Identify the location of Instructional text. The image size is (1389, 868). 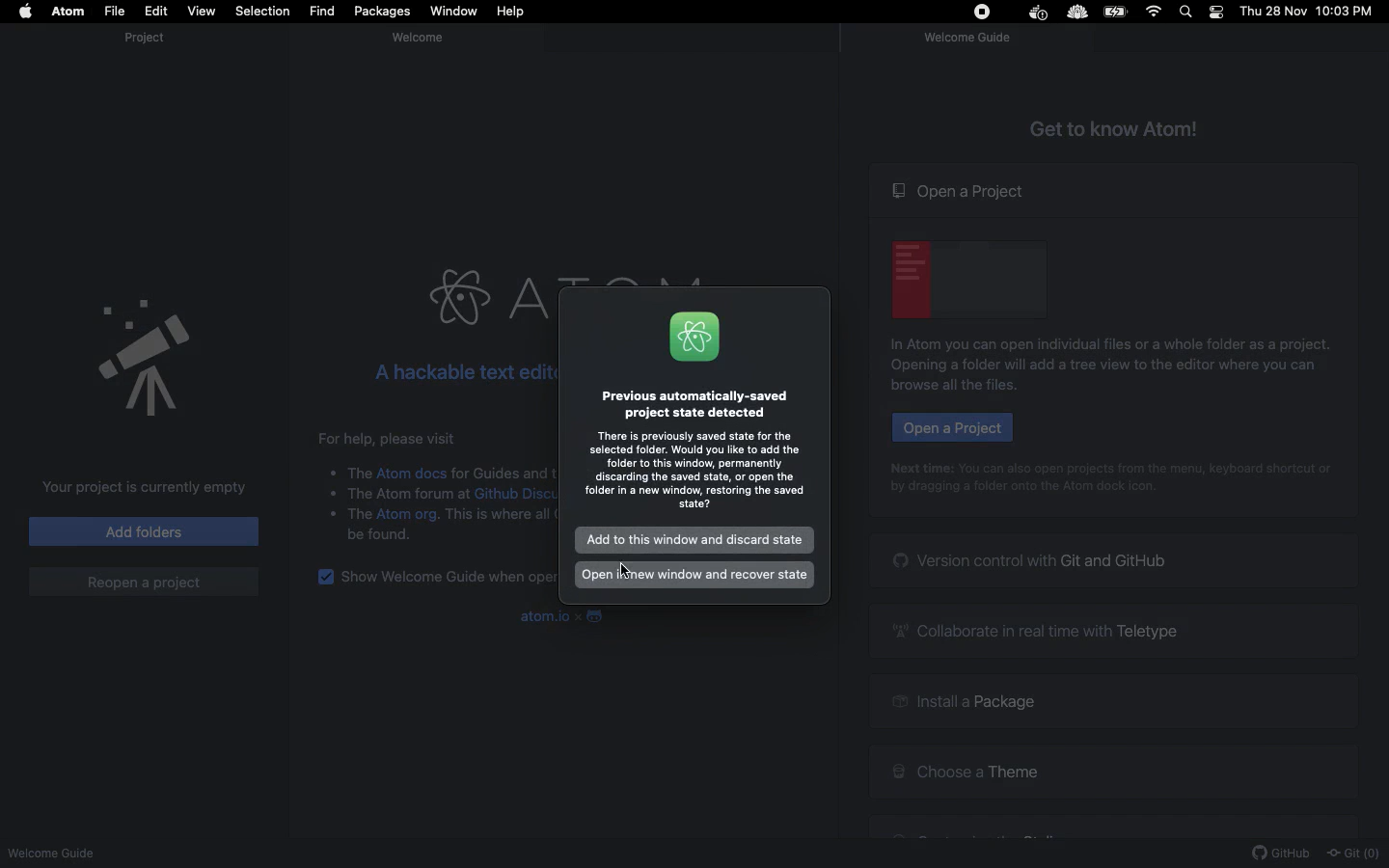
(694, 472).